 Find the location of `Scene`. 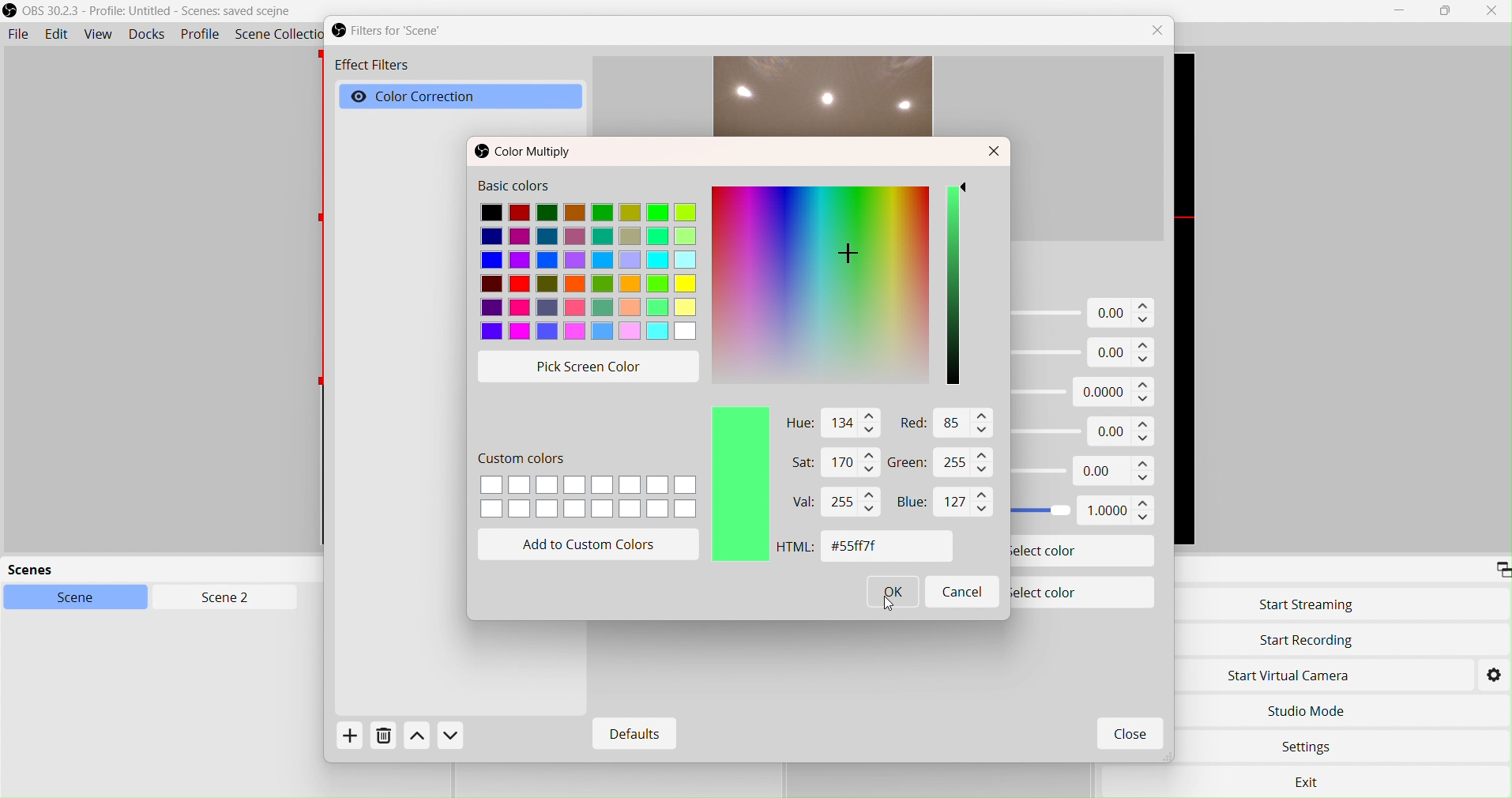

Scene is located at coordinates (85, 598).